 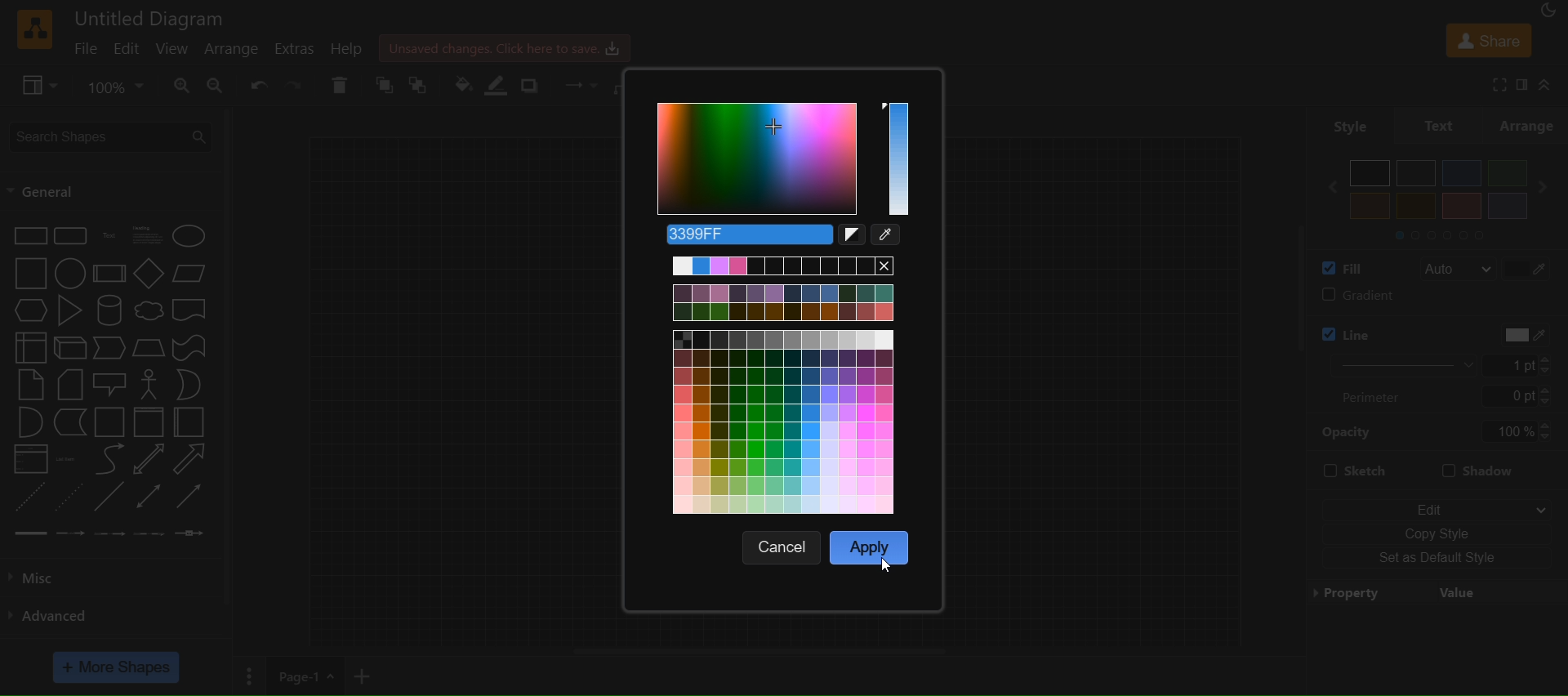 What do you see at coordinates (189, 533) in the screenshot?
I see `connector 5` at bounding box center [189, 533].